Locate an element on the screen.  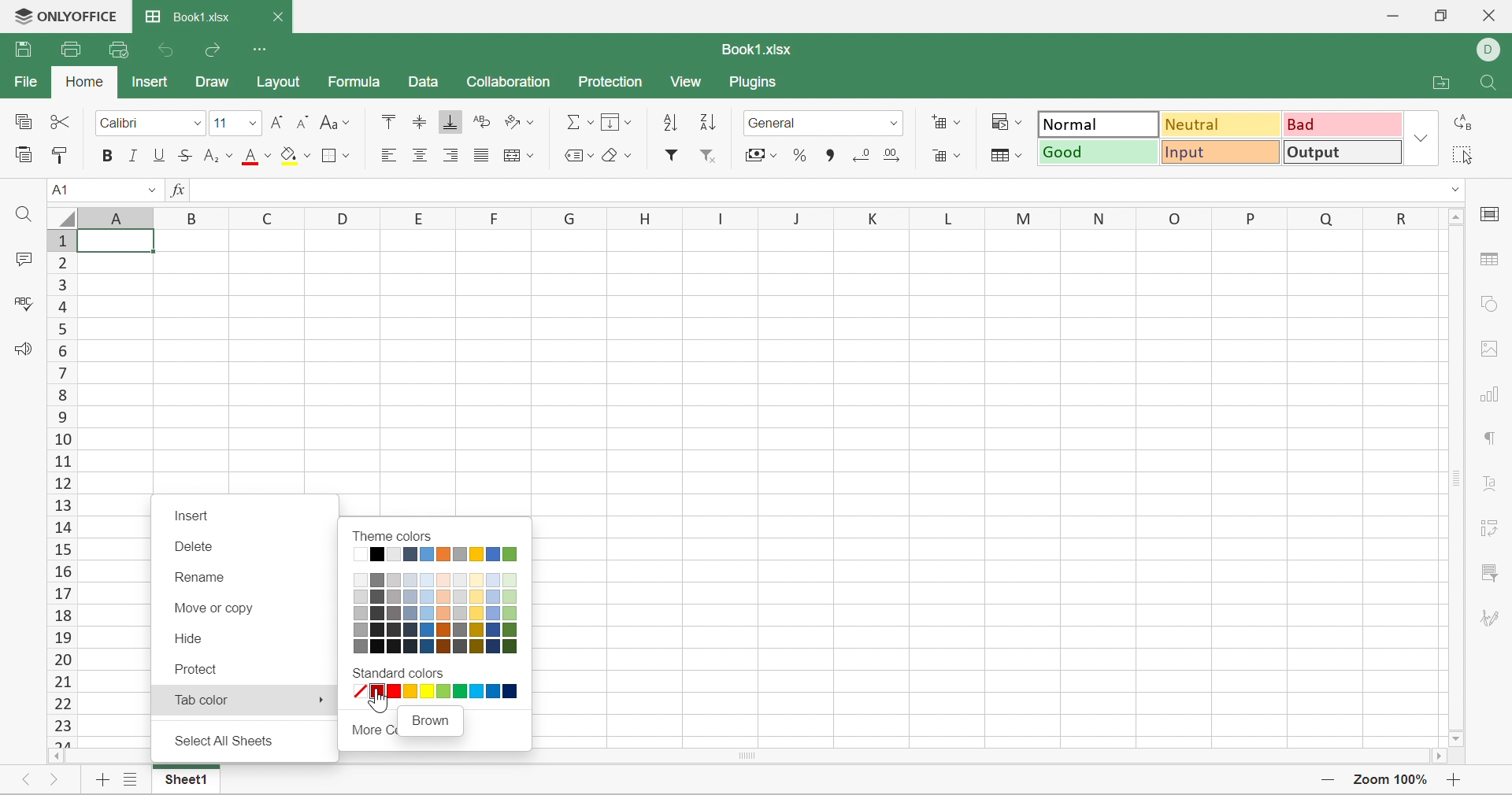
ONLYOFFICE is located at coordinates (65, 14).